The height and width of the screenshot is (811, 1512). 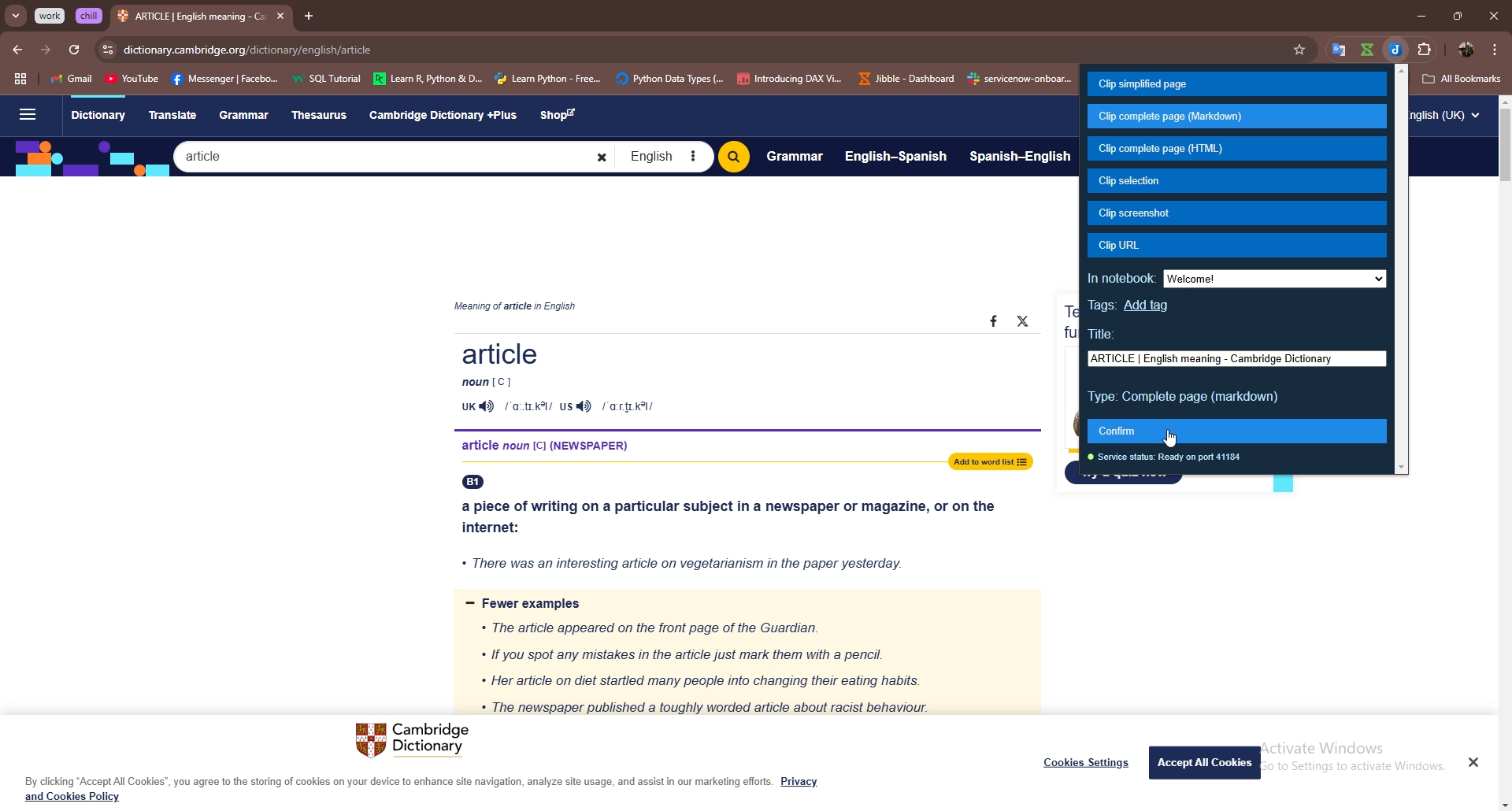 I want to click on extensions, so click(x=1426, y=49).